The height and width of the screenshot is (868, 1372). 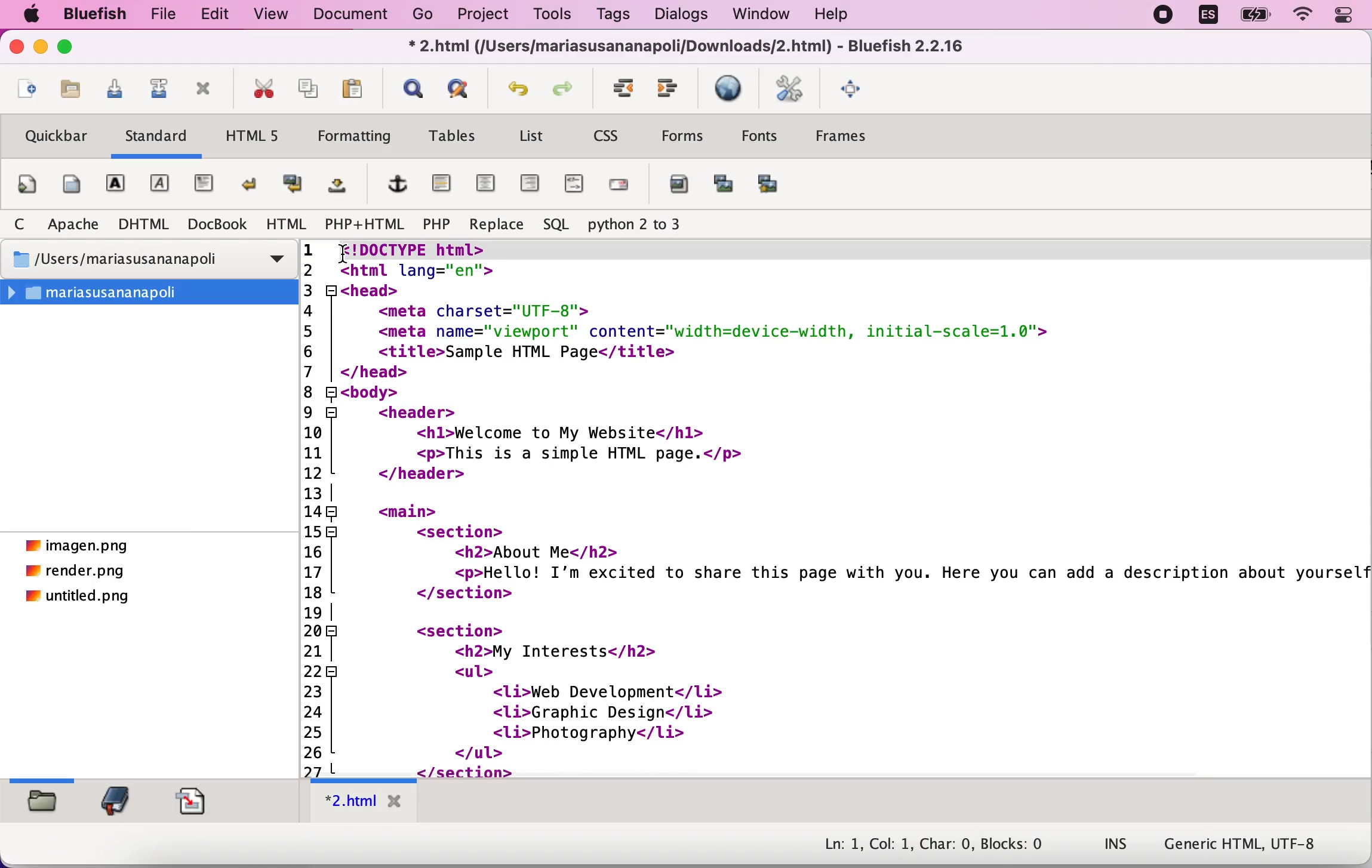 What do you see at coordinates (77, 572) in the screenshot?
I see `render.png` at bounding box center [77, 572].